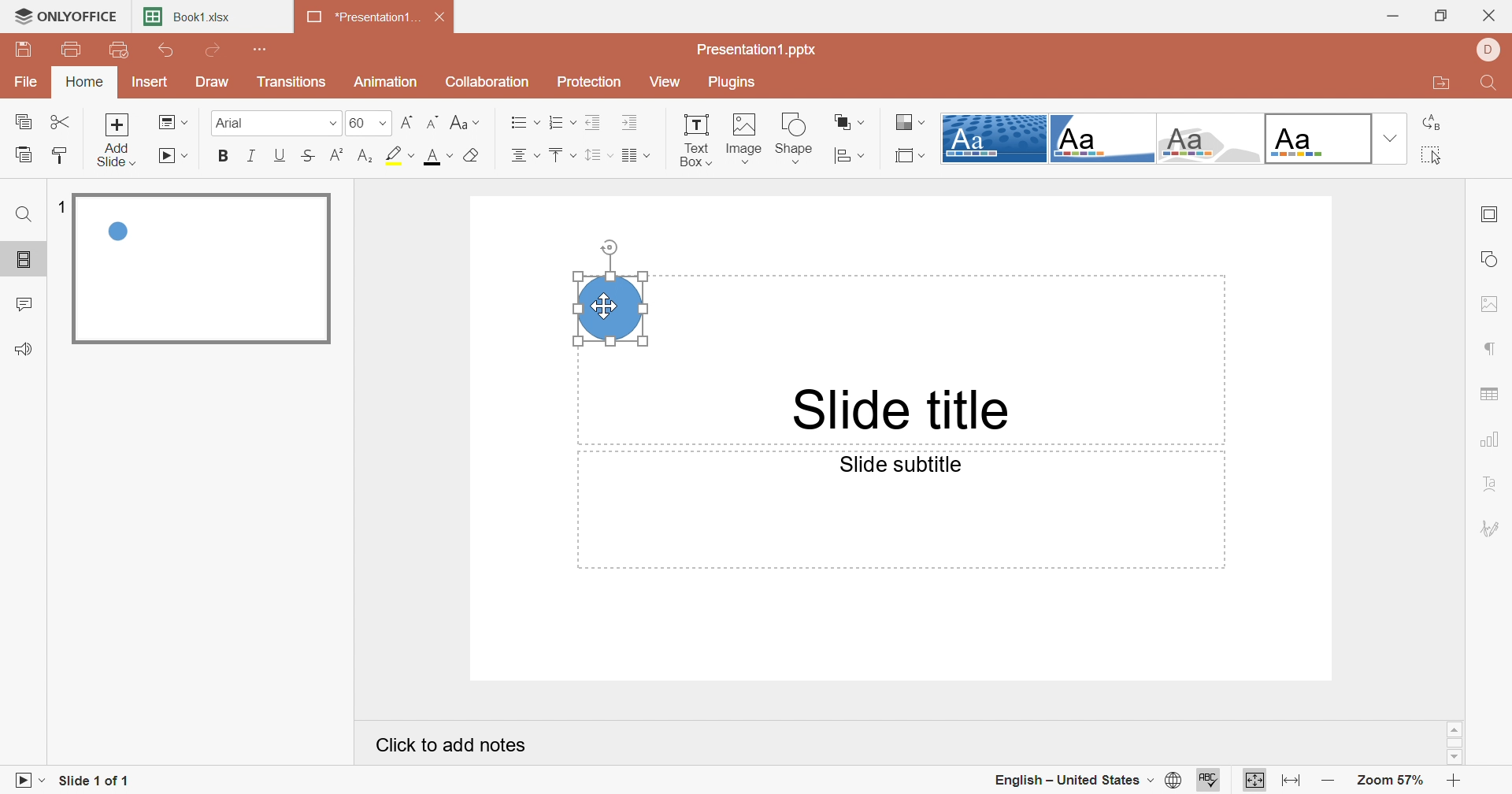  I want to click on Font, so click(268, 121).